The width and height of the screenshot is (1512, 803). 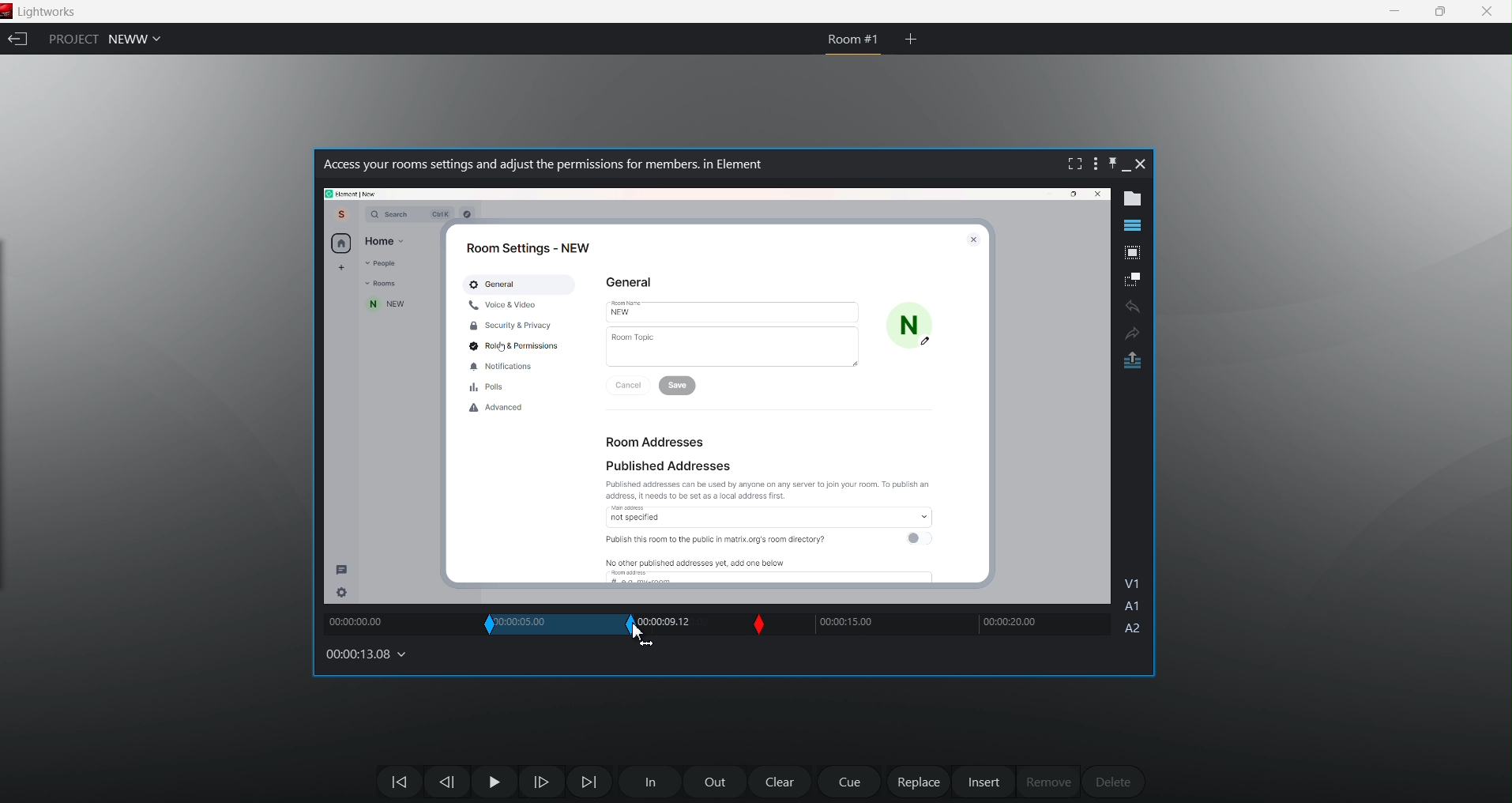 I want to click on New, so click(x=735, y=311).